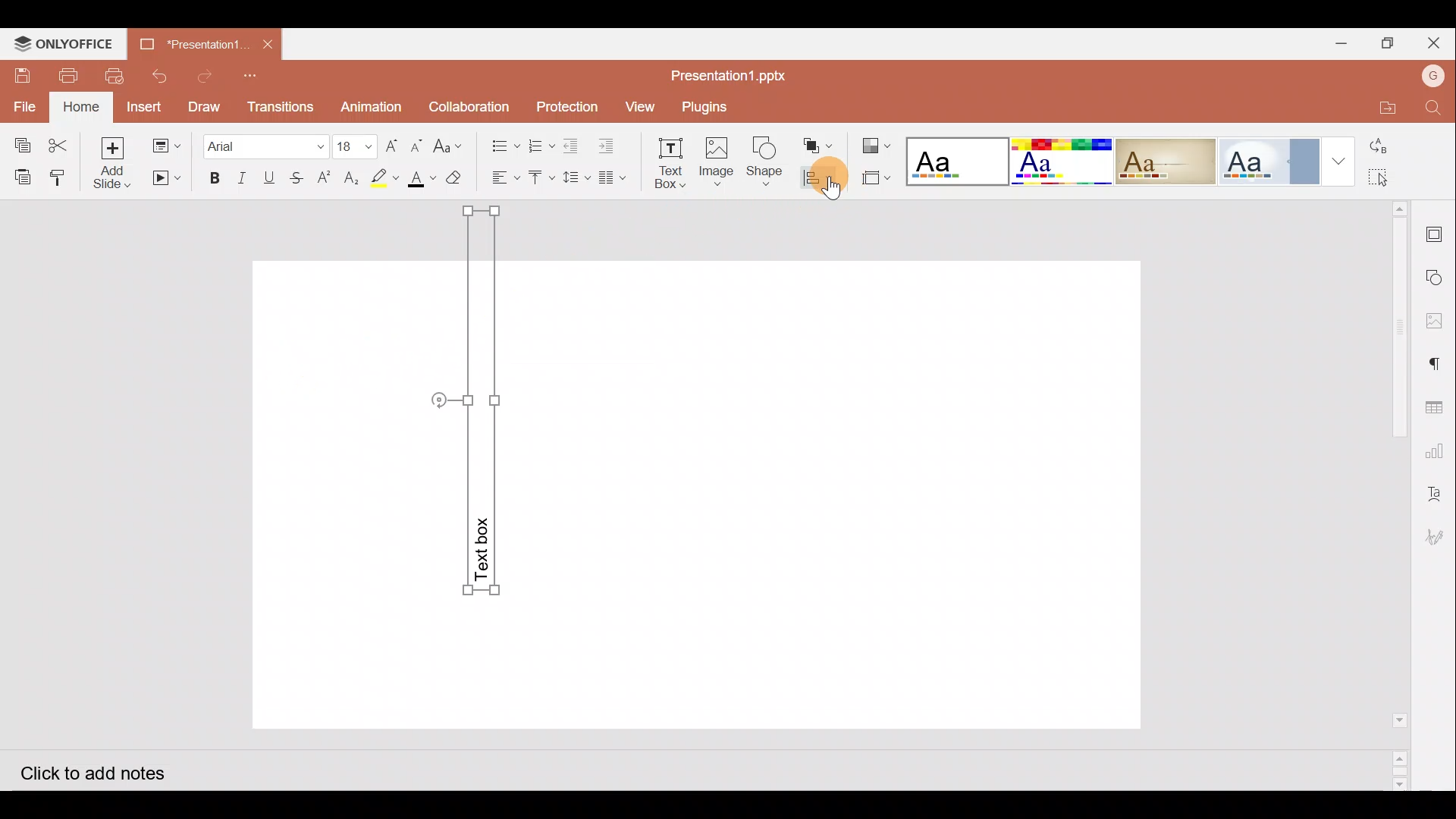  Describe the element at coordinates (541, 142) in the screenshot. I see `Numbering` at that location.